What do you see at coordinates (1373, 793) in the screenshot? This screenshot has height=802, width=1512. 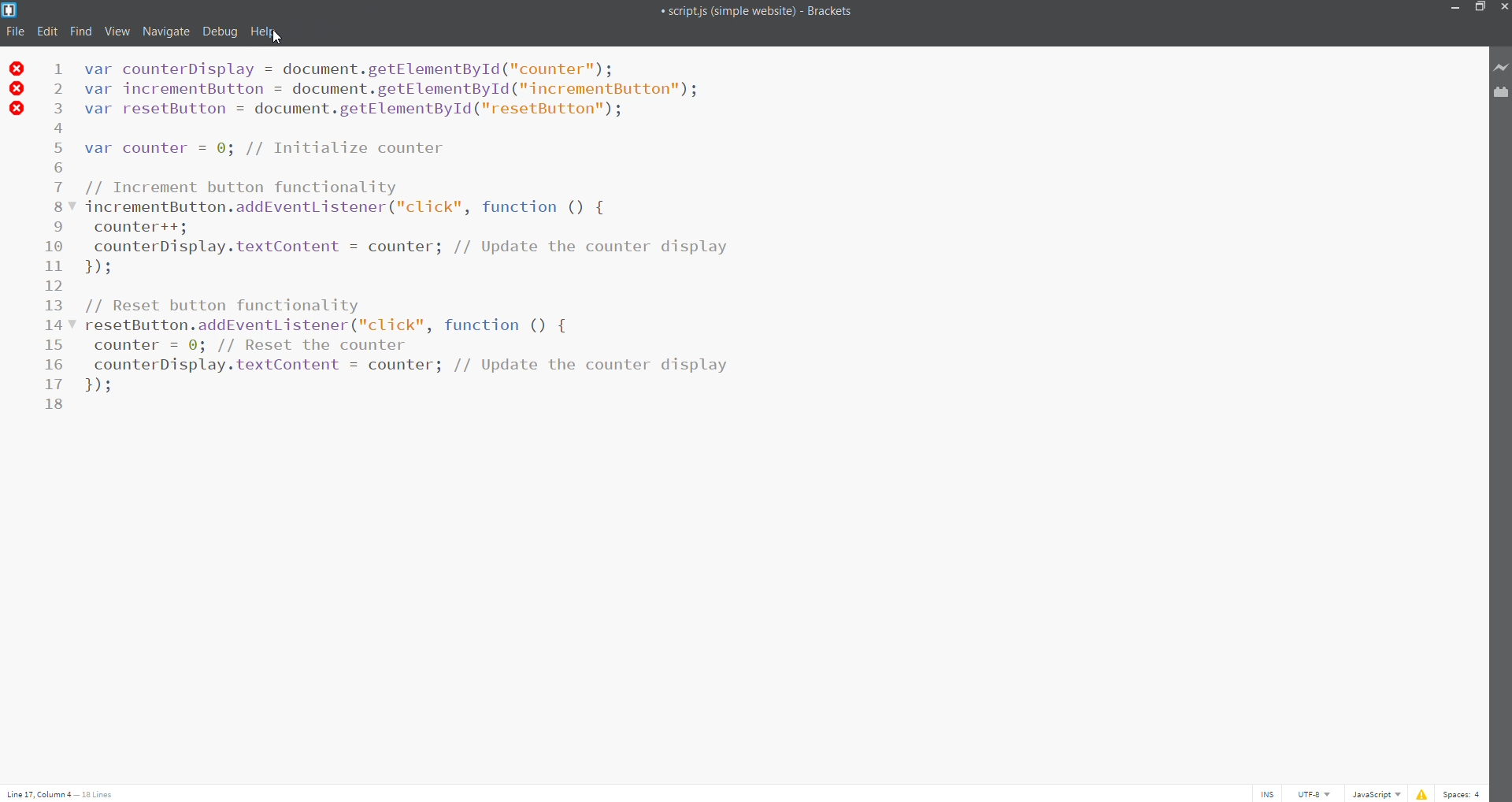 I see `file type` at bounding box center [1373, 793].